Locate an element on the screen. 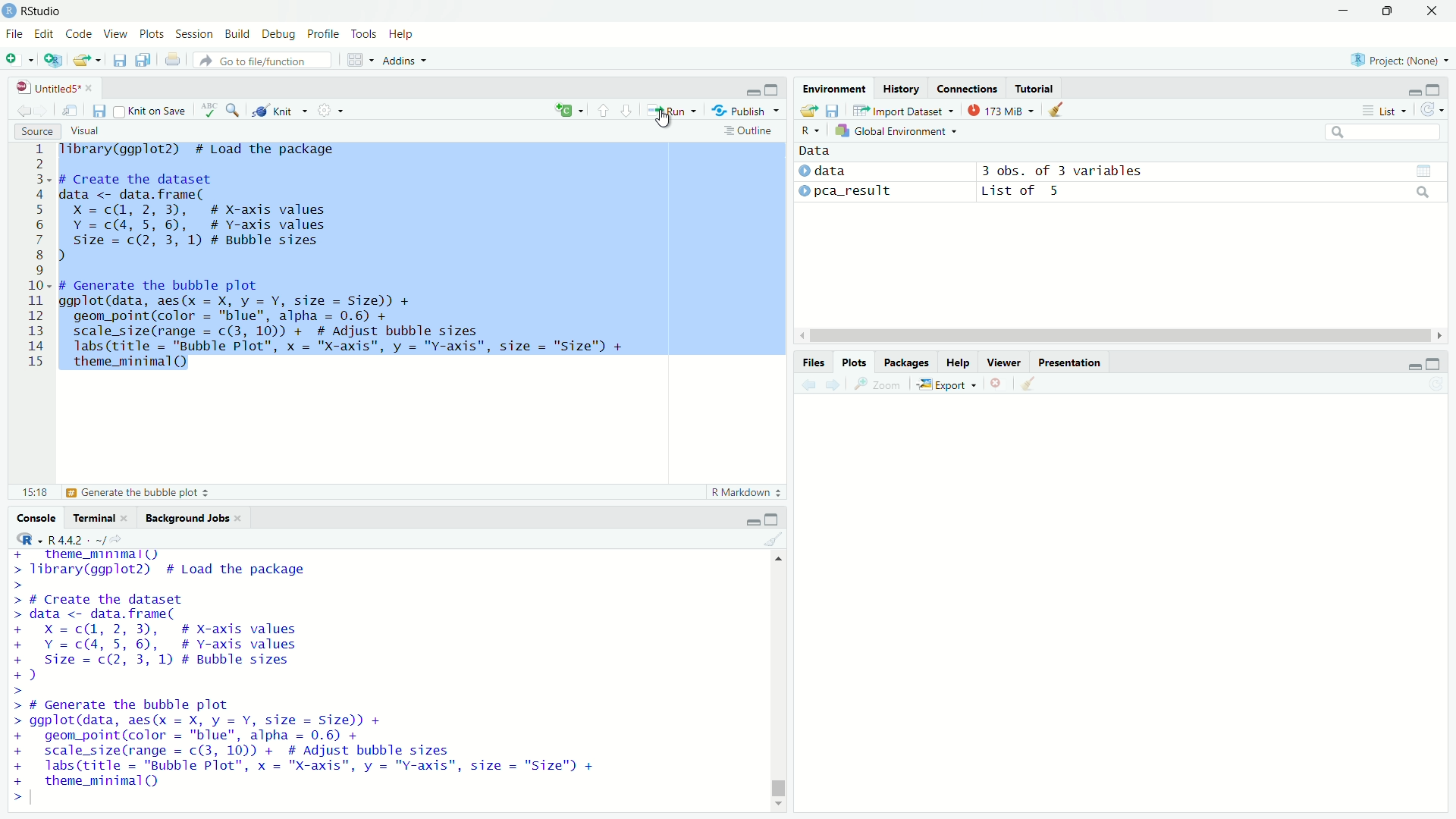 Image resolution: width=1456 pixels, height=819 pixels. View is located at coordinates (118, 35).